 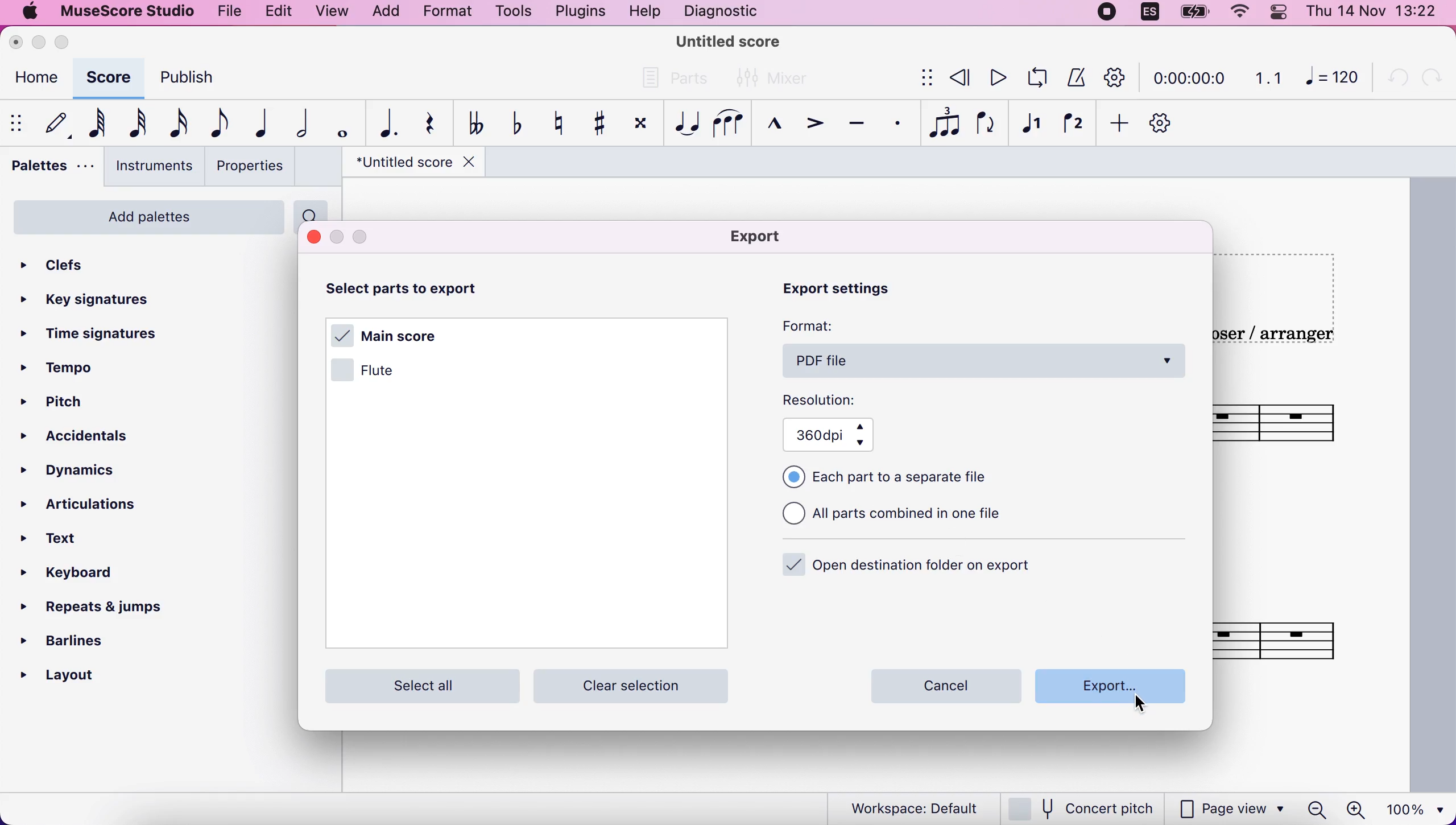 What do you see at coordinates (53, 122) in the screenshot?
I see `default` at bounding box center [53, 122].